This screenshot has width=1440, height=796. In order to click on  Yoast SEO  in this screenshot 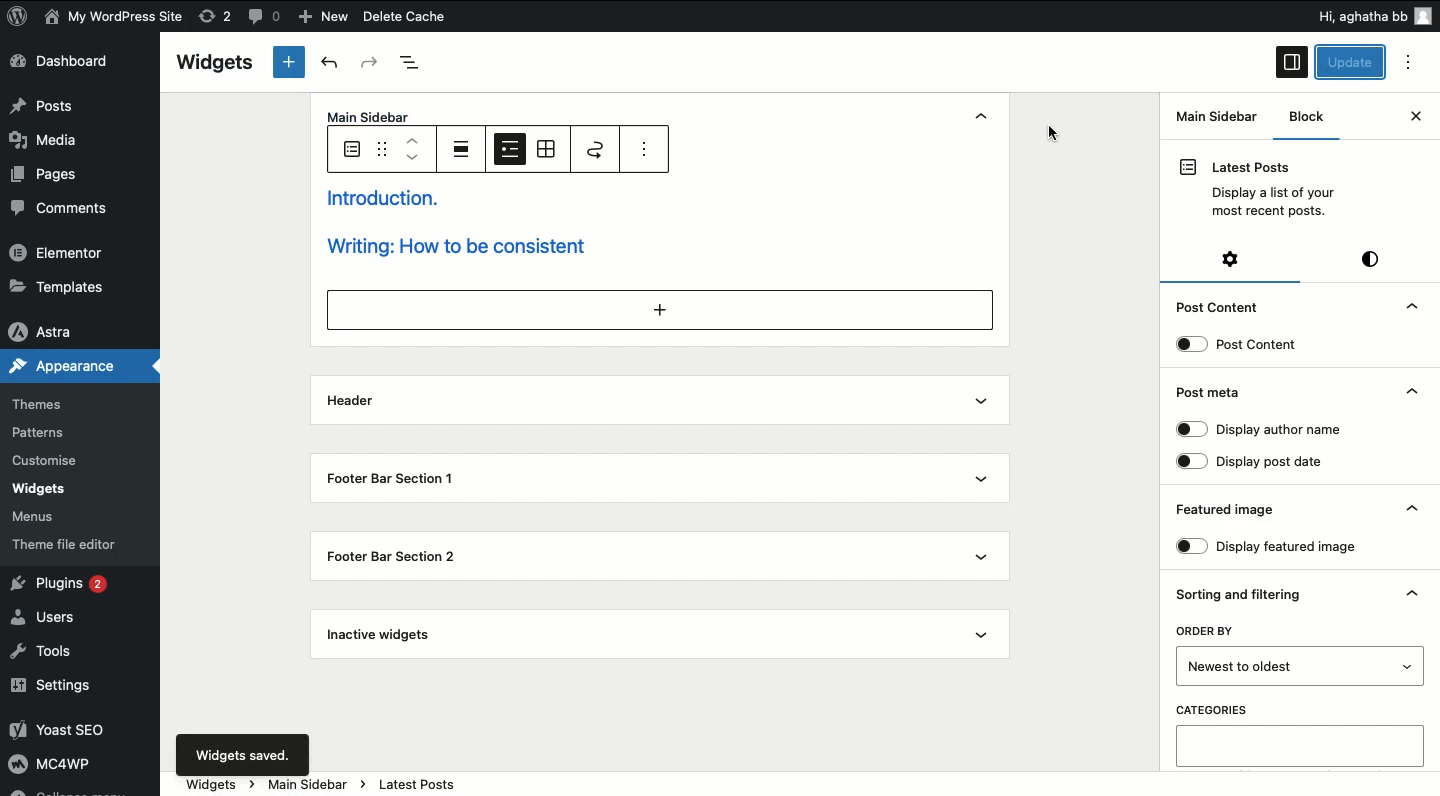, I will do `click(72, 726)`.